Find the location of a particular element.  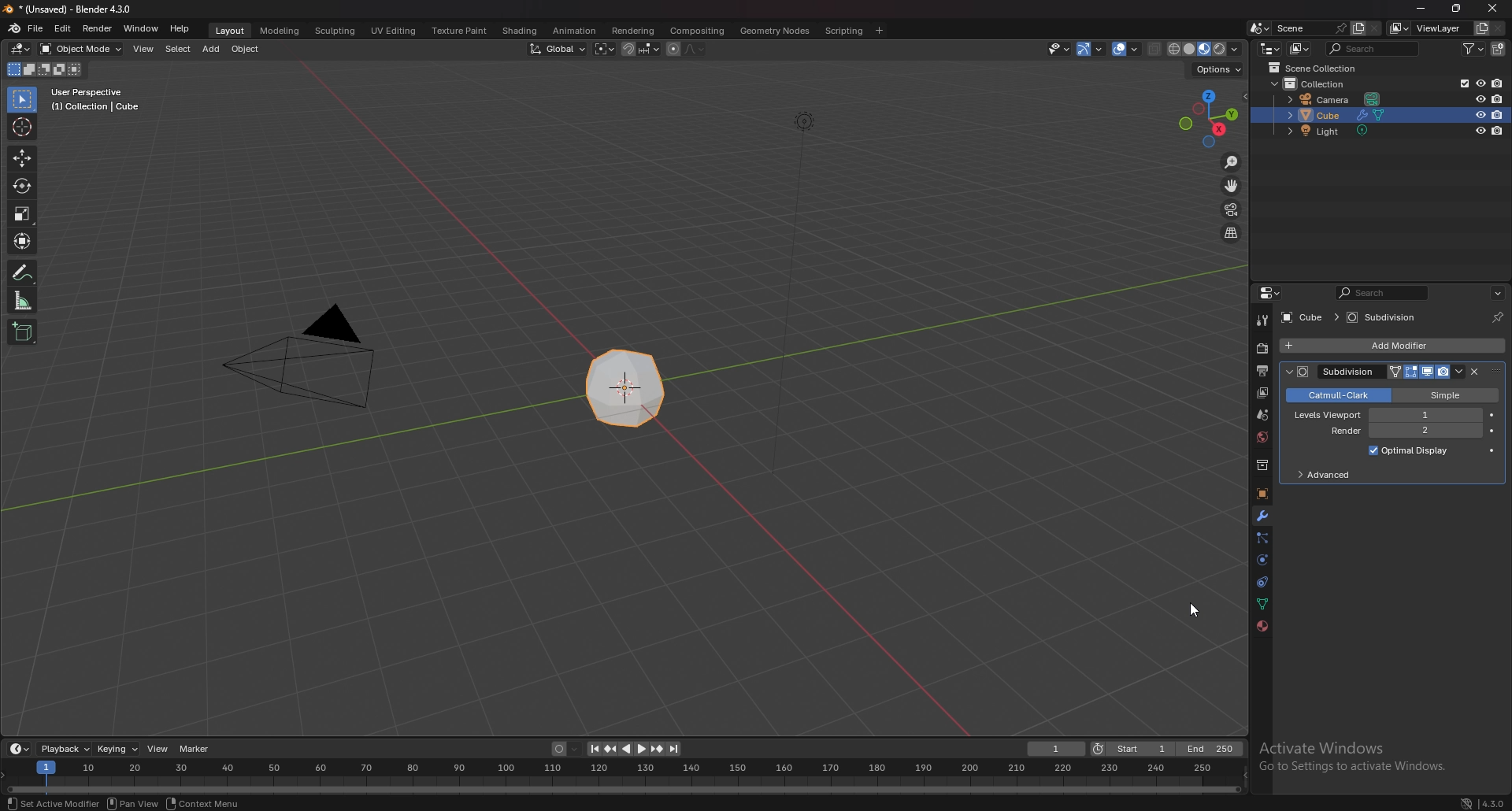

transform is located at coordinates (23, 242).